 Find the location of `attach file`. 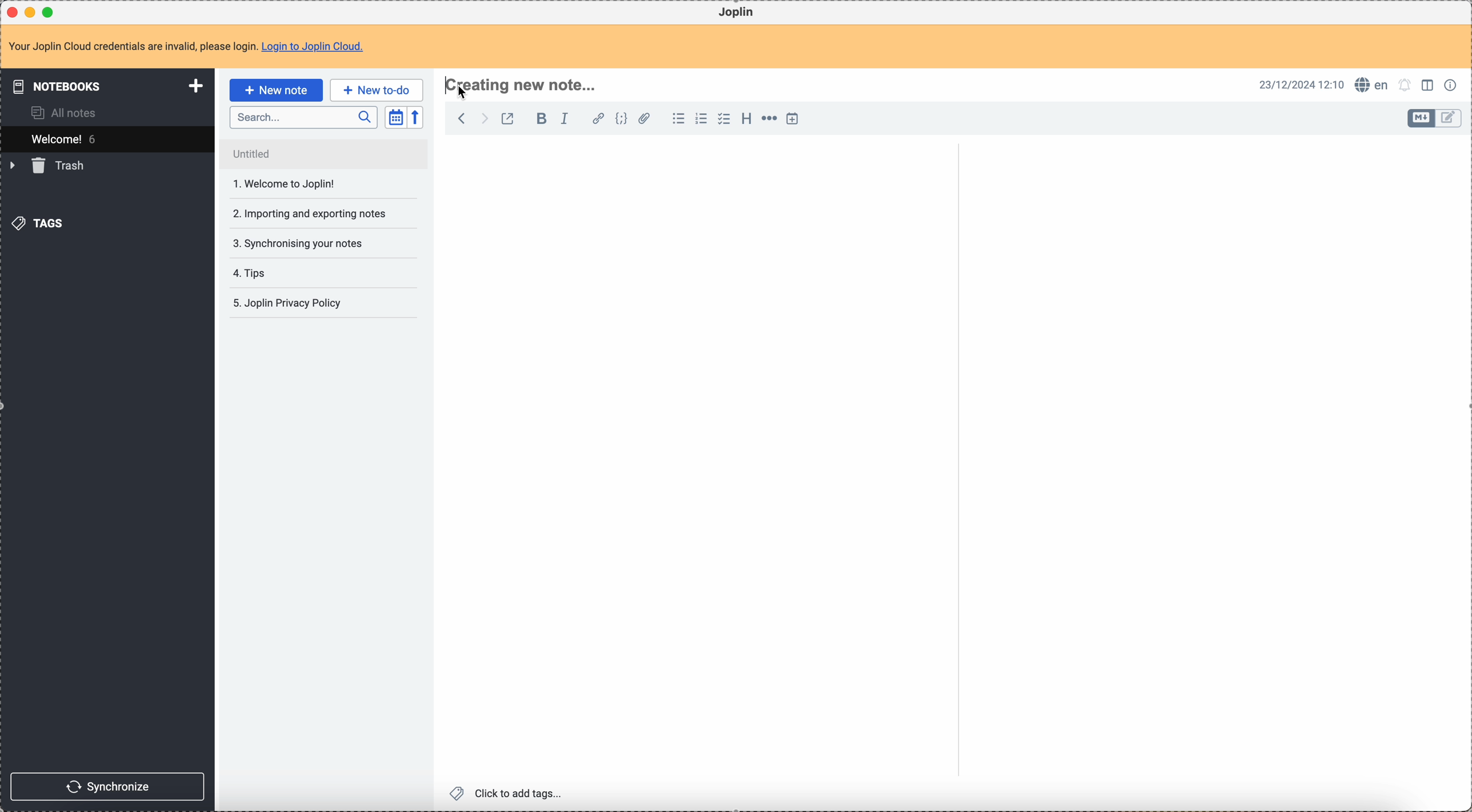

attach file is located at coordinates (644, 119).